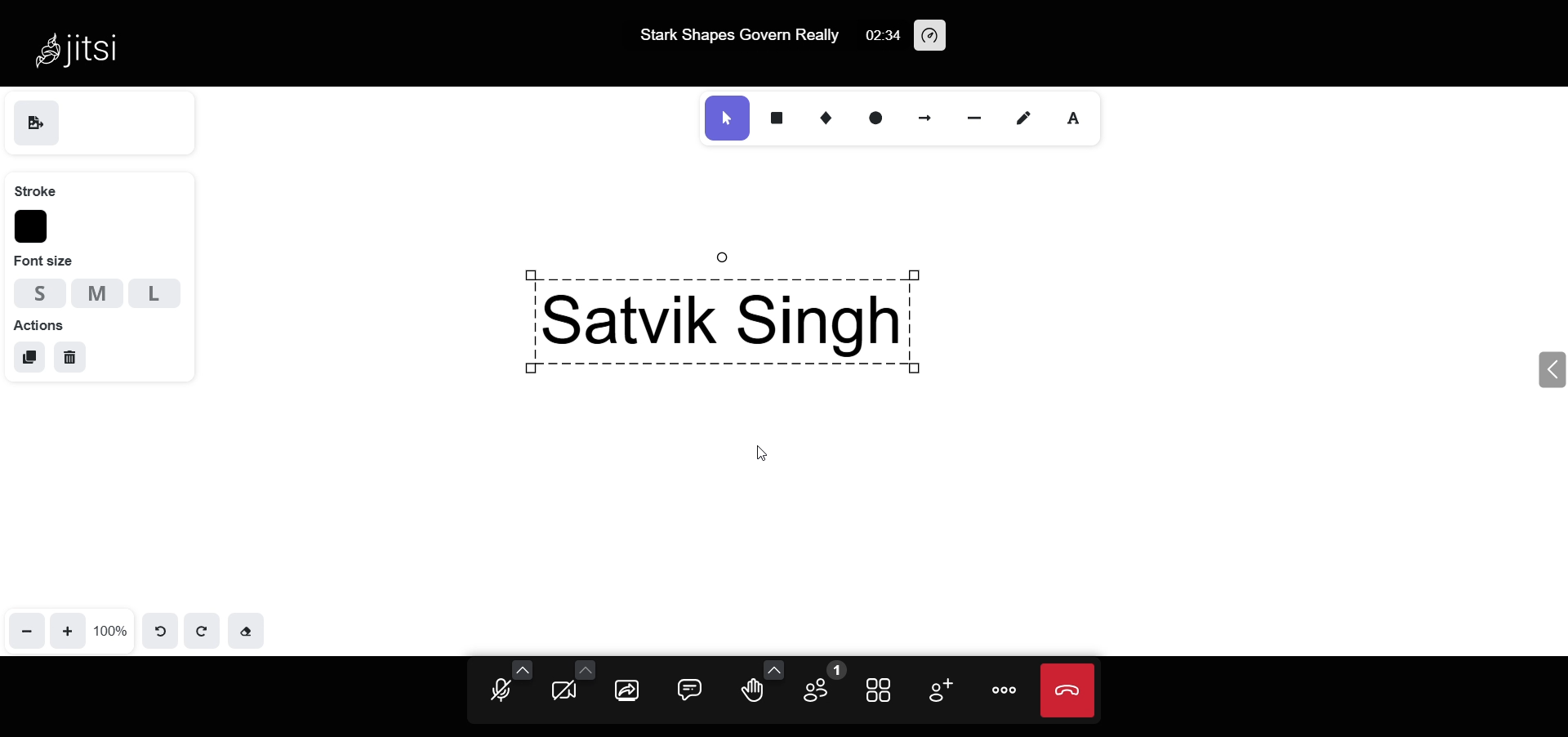  I want to click on delete, so click(70, 359).